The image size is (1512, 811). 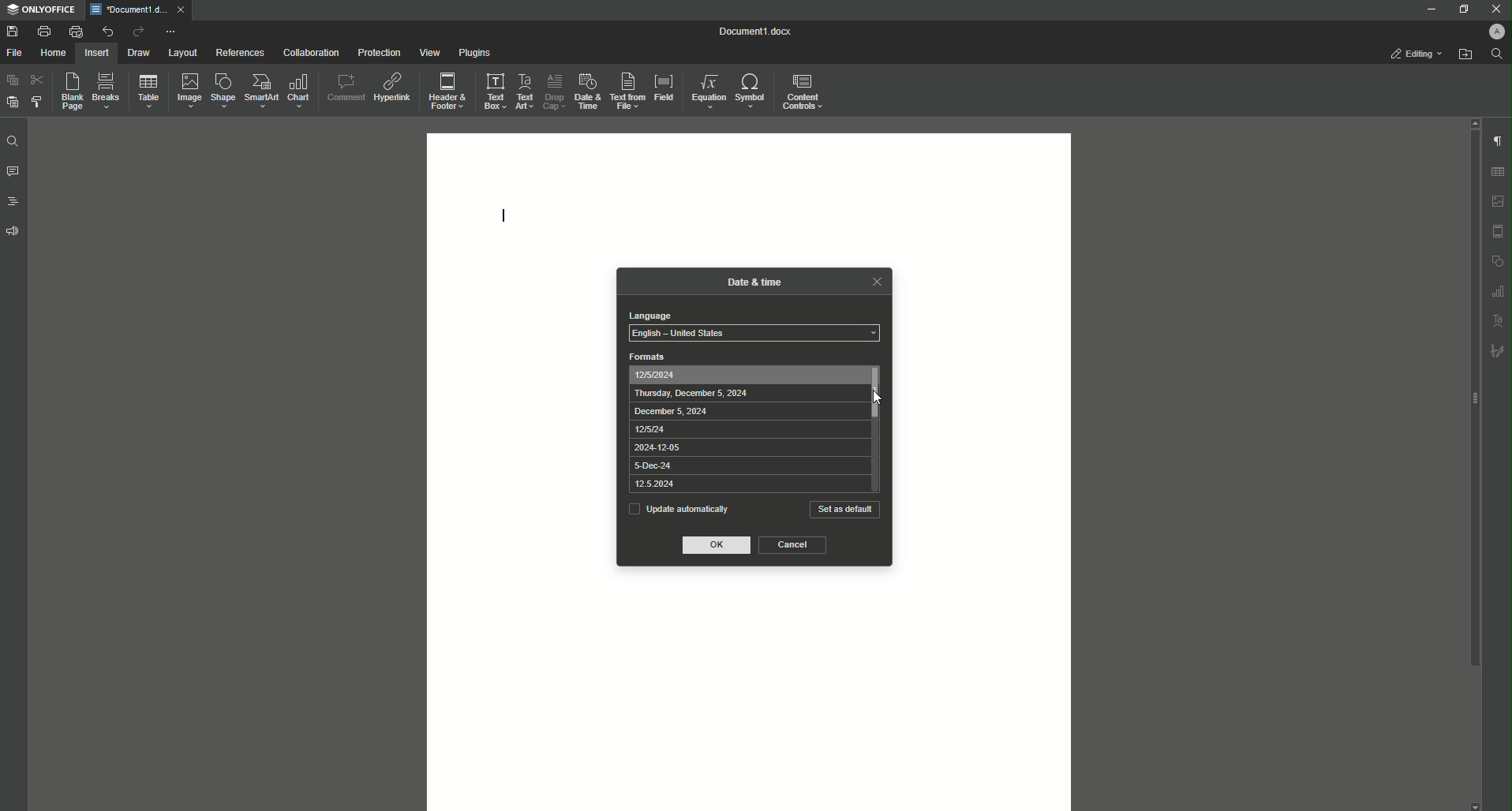 What do you see at coordinates (670, 412) in the screenshot?
I see `December 5, 2024` at bounding box center [670, 412].